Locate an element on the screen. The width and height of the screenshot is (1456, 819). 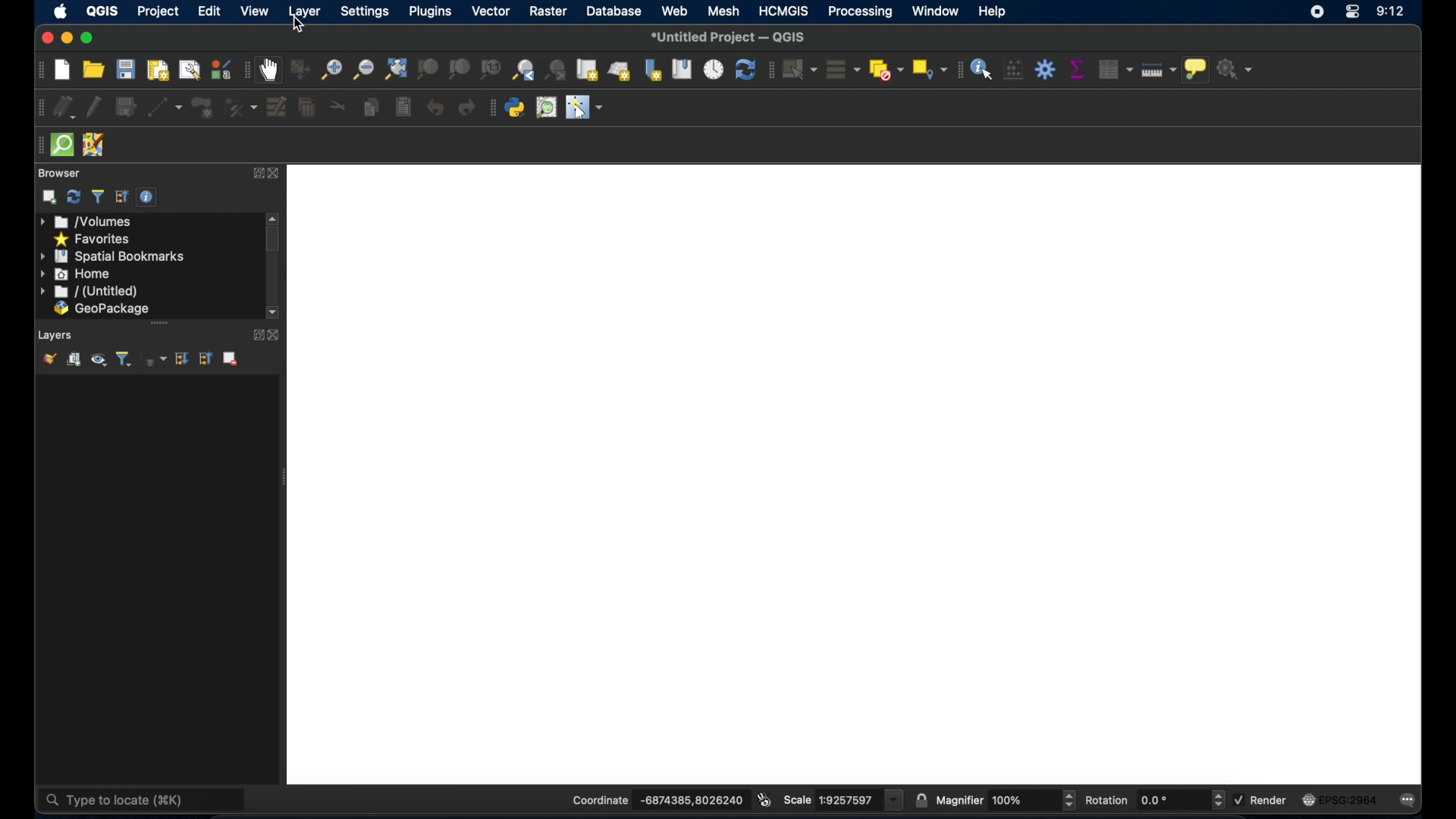
layer is located at coordinates (302, 11).